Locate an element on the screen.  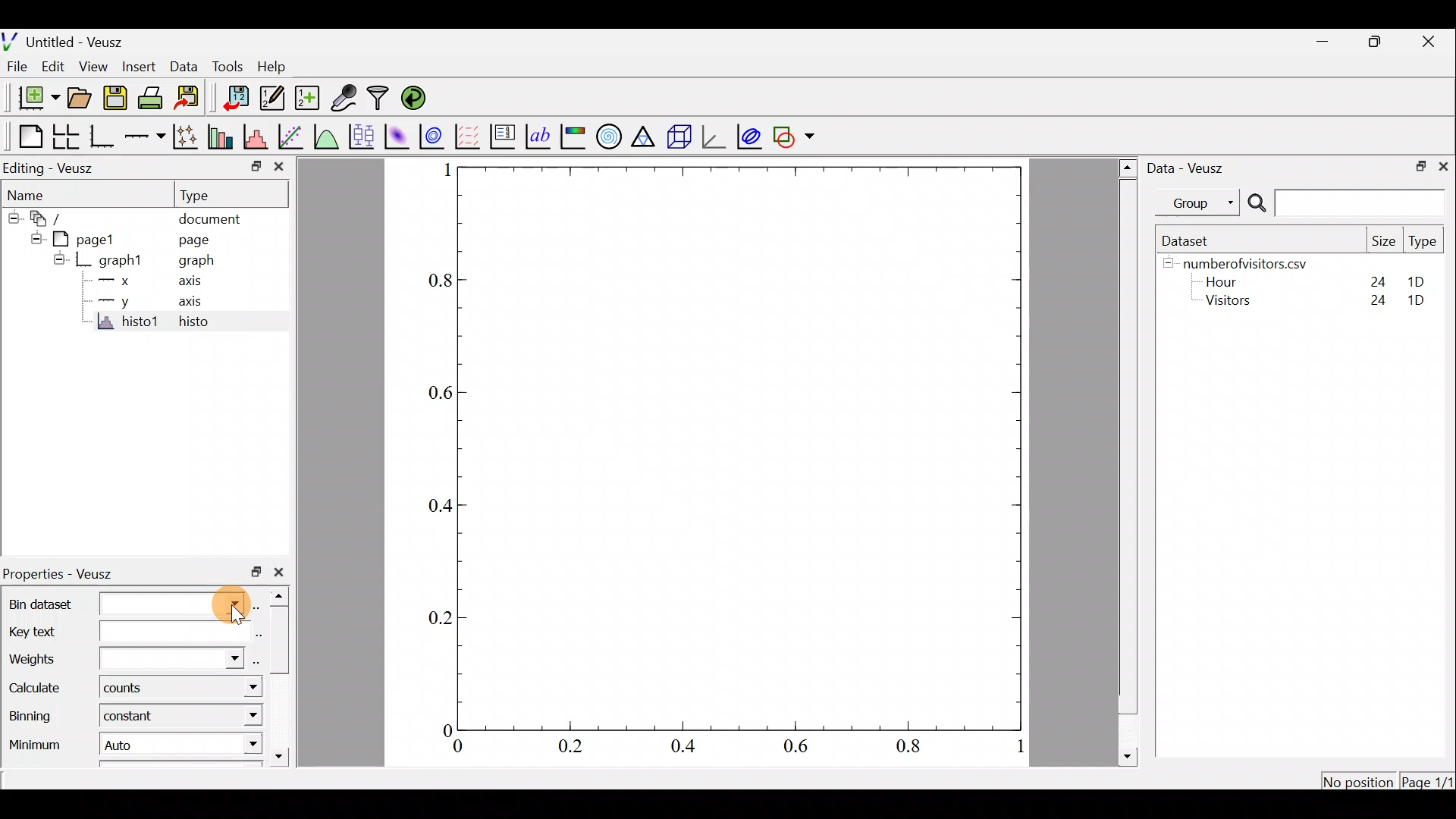
Page1/1 is located at coordinates (1426, 780).